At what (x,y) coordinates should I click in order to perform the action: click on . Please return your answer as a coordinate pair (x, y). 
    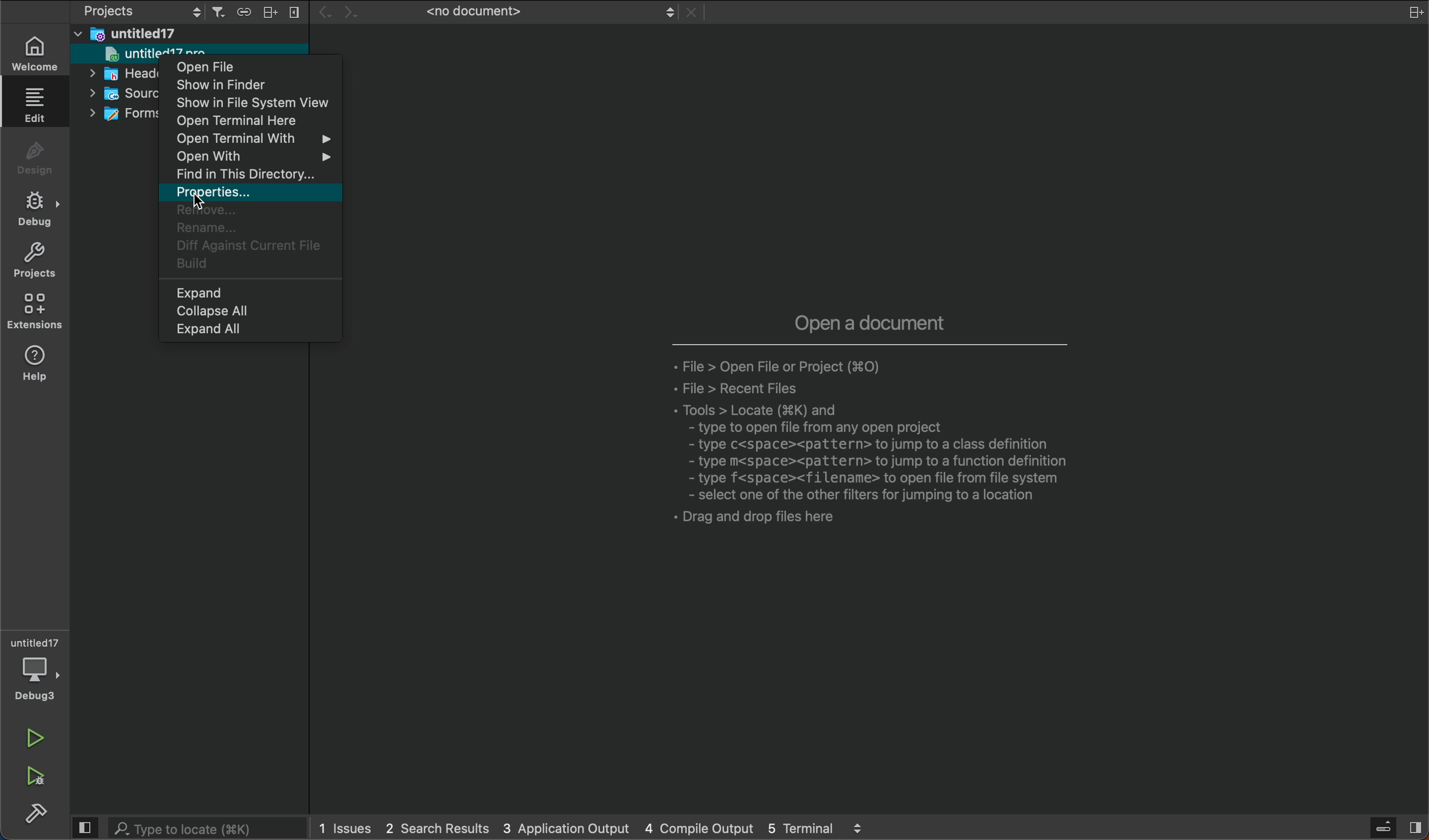
    Looking at the image, I should click on (124, 113).